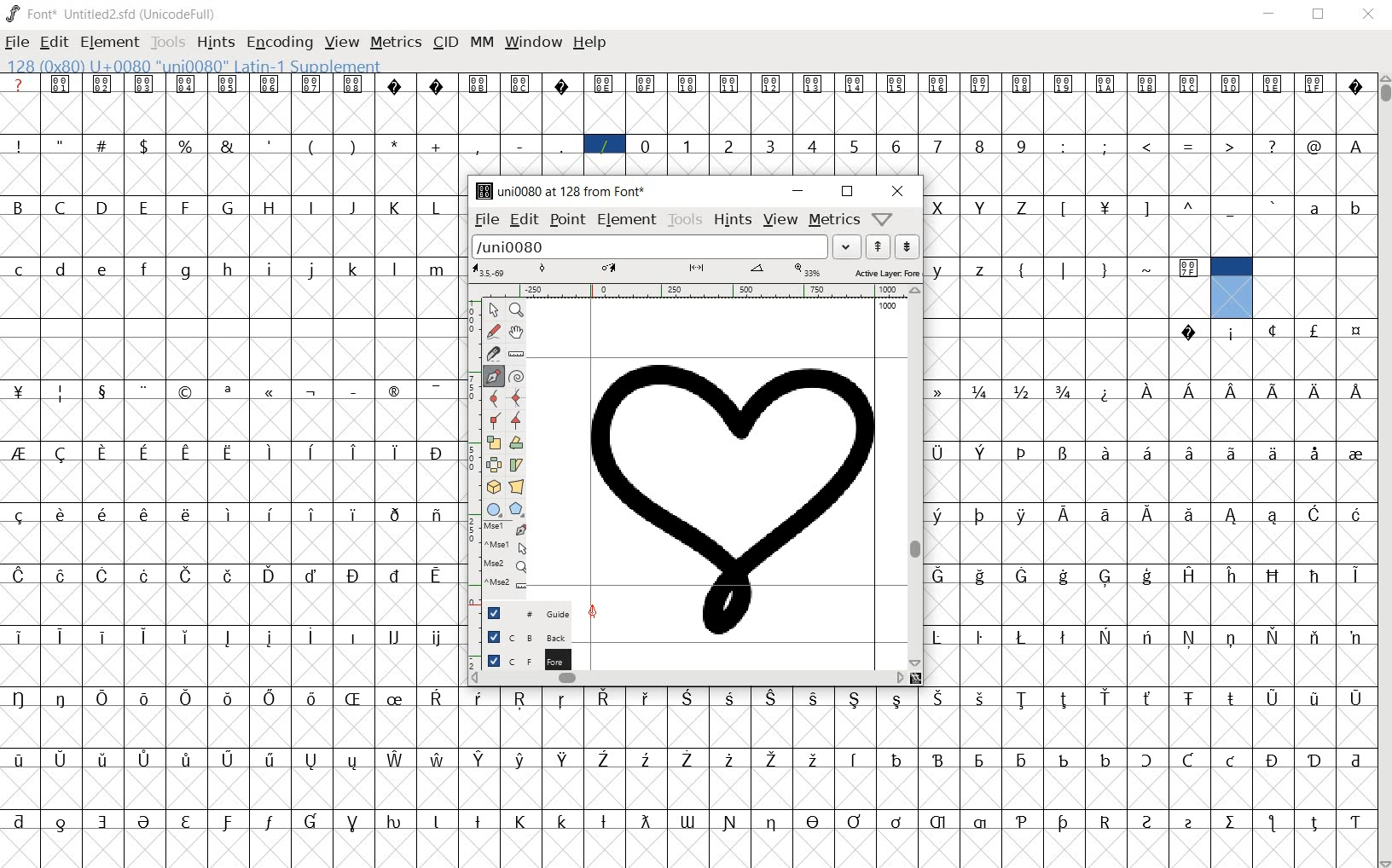 The image size is (1392, 868). Describe the element at coordinates (481, 220) in the screenshot. I see `file` at that location.